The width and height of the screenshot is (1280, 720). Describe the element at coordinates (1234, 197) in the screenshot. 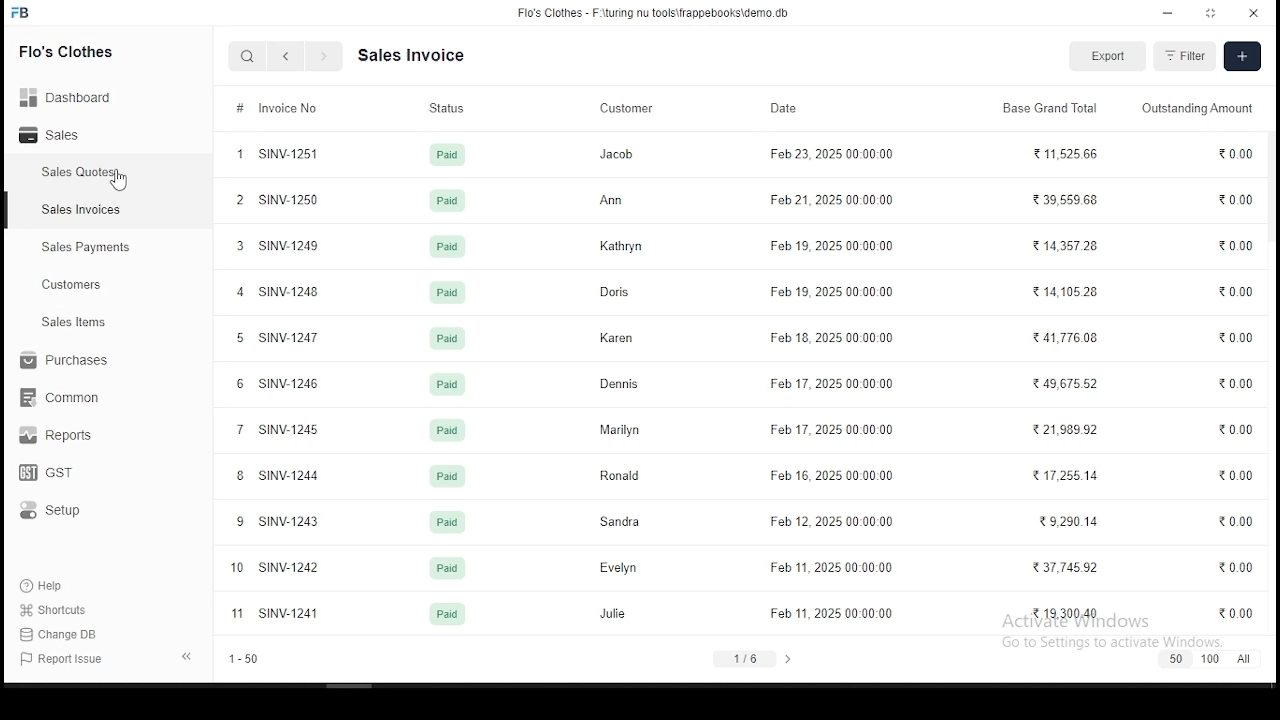

I see `0.00` at that location.